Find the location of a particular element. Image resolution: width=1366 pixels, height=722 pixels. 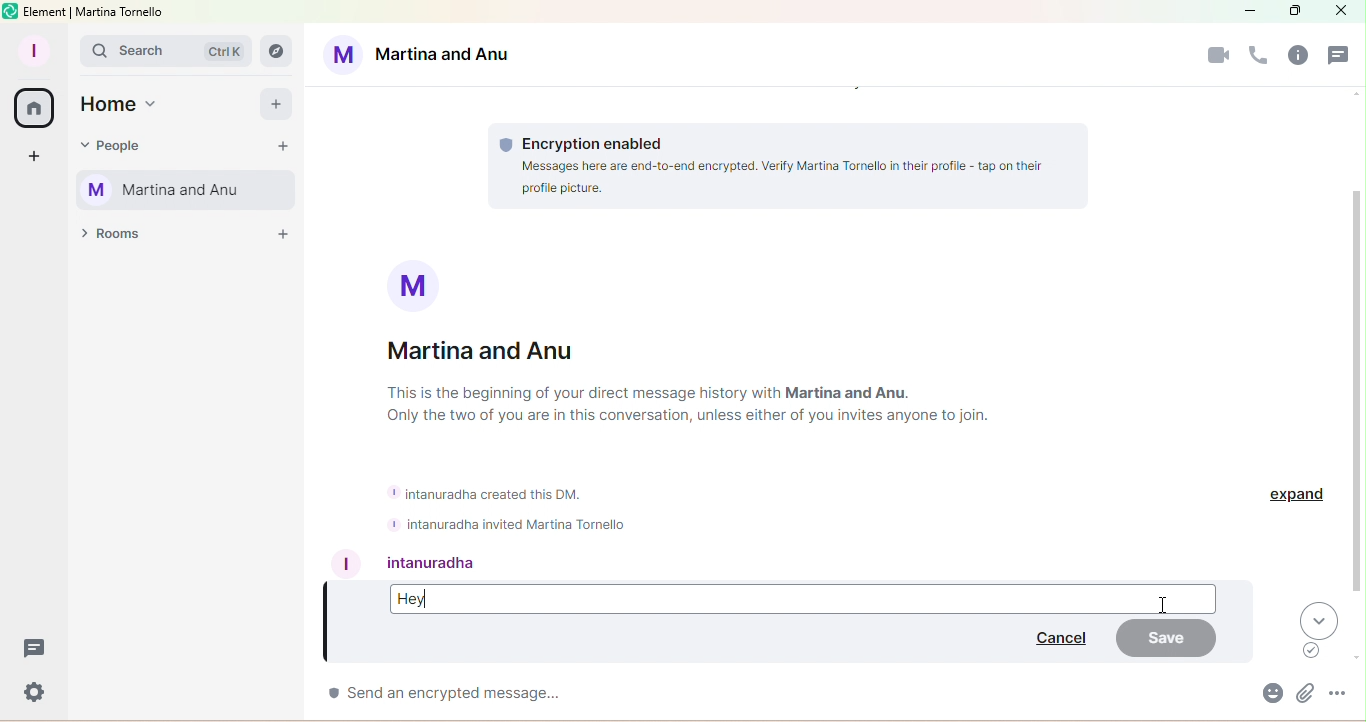

This is the beginning of your direct message history with is located at coordinates (584, 393).